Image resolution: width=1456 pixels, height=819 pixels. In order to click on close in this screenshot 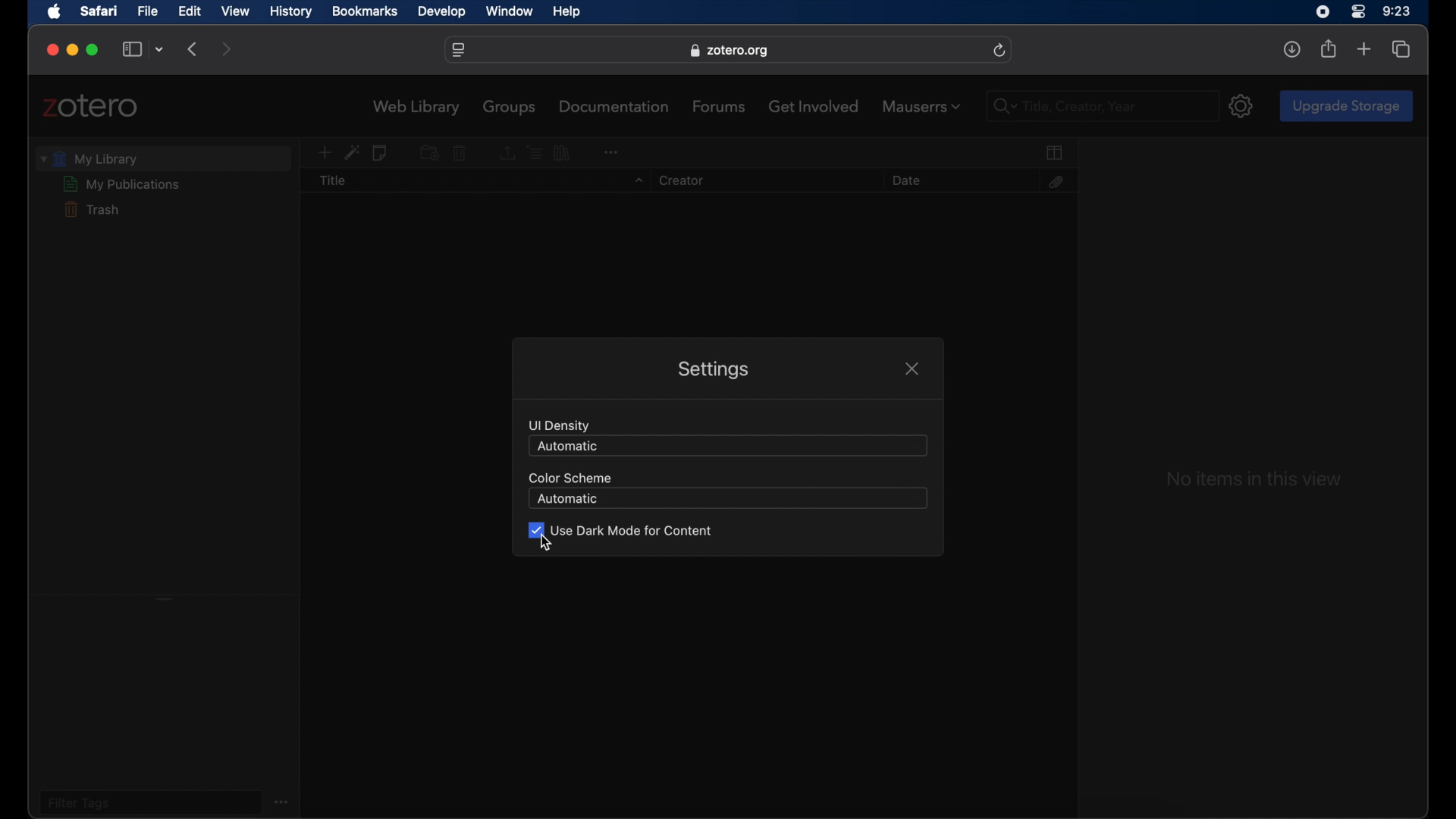, I will do `click(53, 50)`.